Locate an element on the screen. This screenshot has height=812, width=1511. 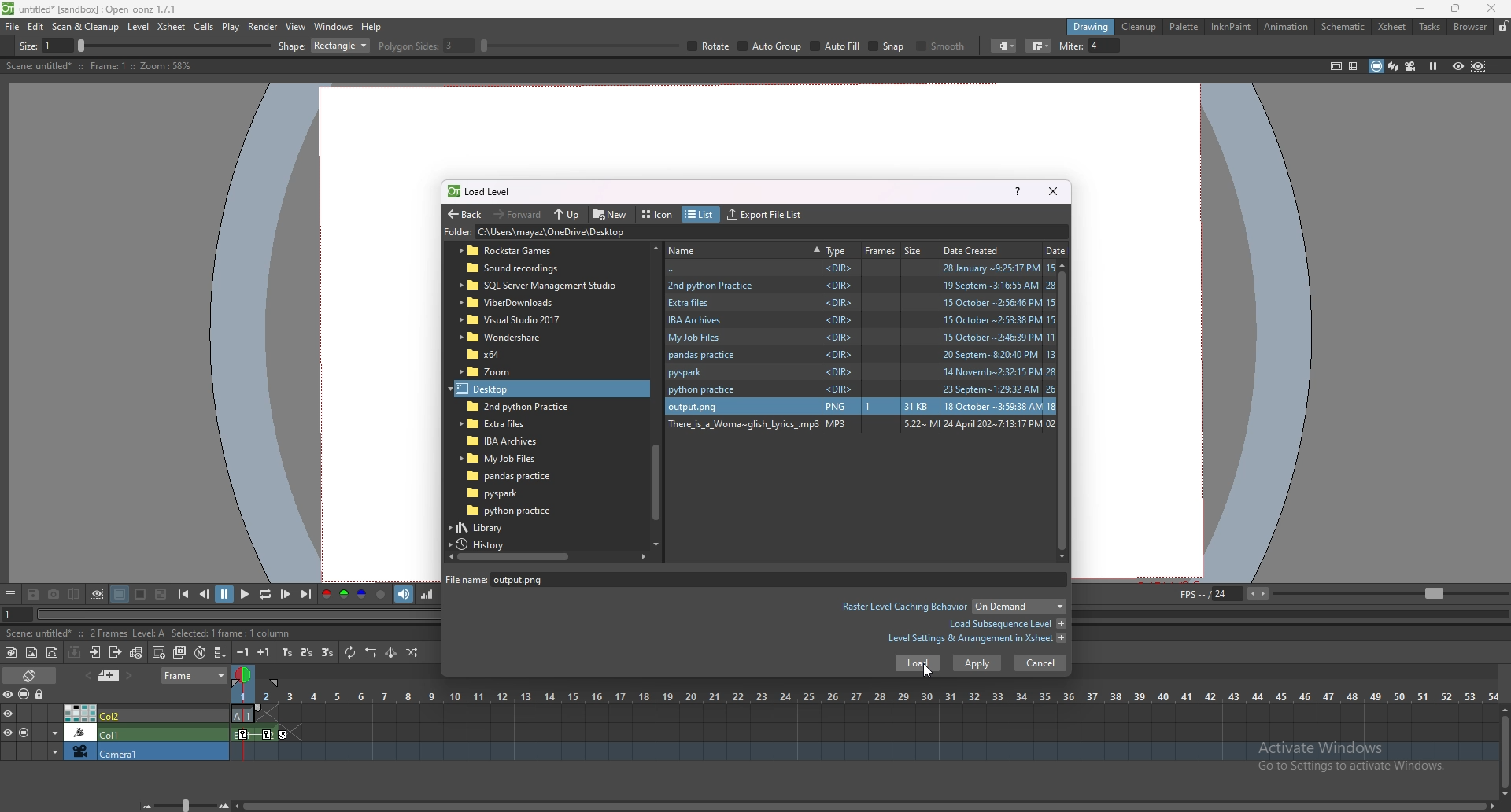
hardness is located at coordinates (448, 46).